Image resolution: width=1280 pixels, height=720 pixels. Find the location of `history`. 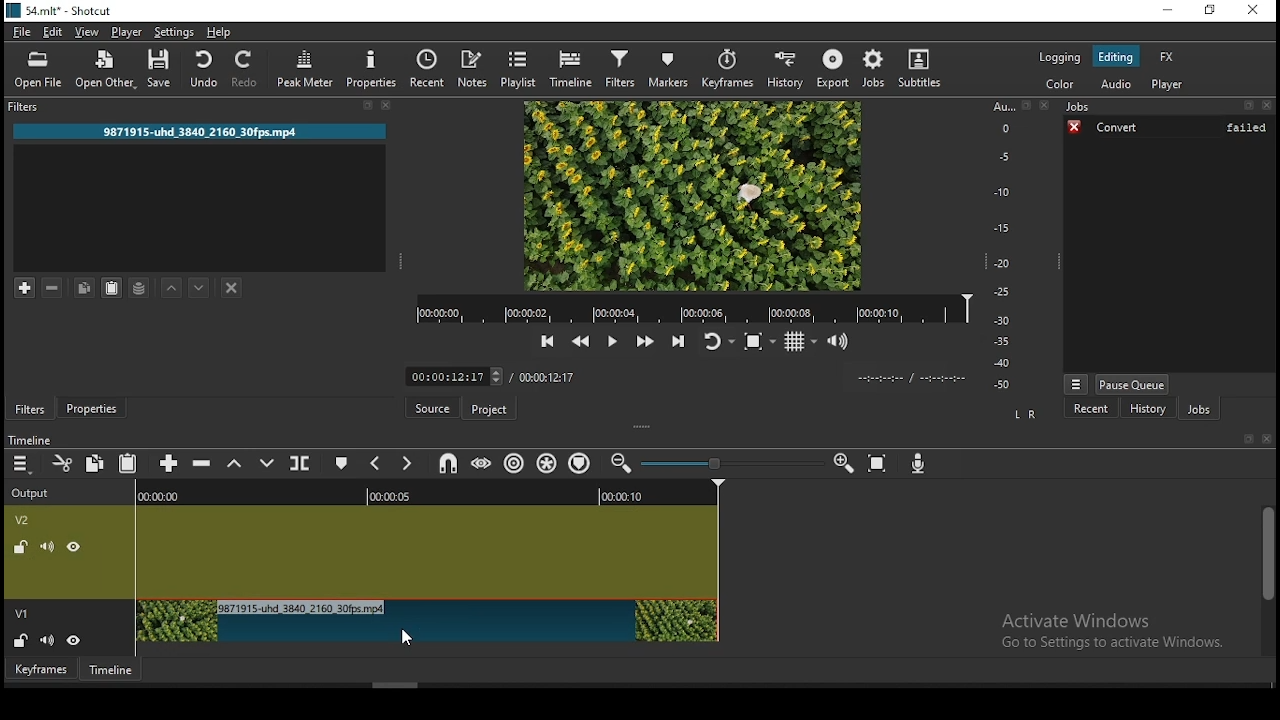

history is located at coordinates (783, 66).